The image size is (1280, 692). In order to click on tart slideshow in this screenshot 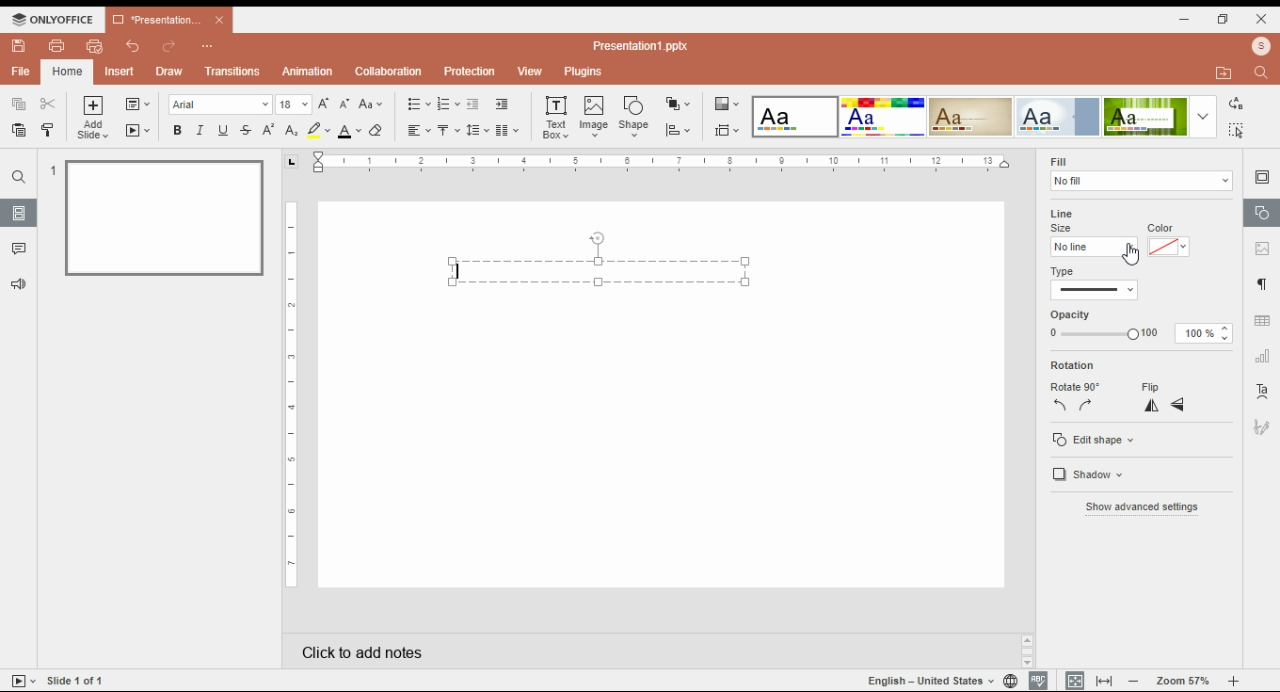, I will do `click(24, 680)`.